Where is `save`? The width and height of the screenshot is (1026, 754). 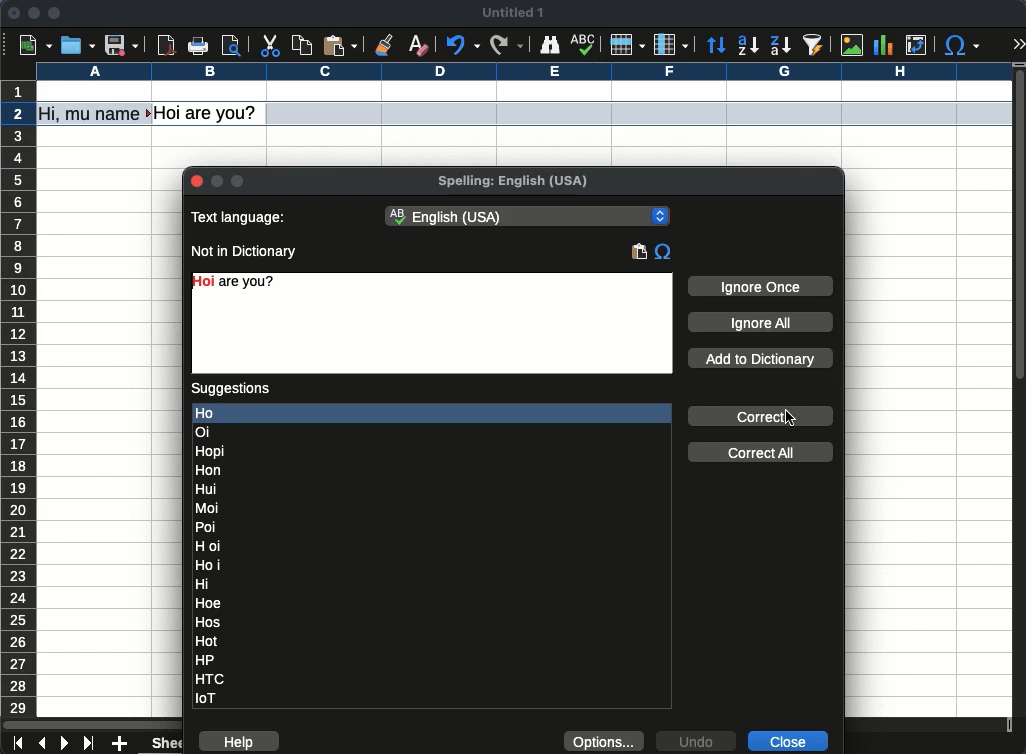
save is located at coordinates (122, 45).